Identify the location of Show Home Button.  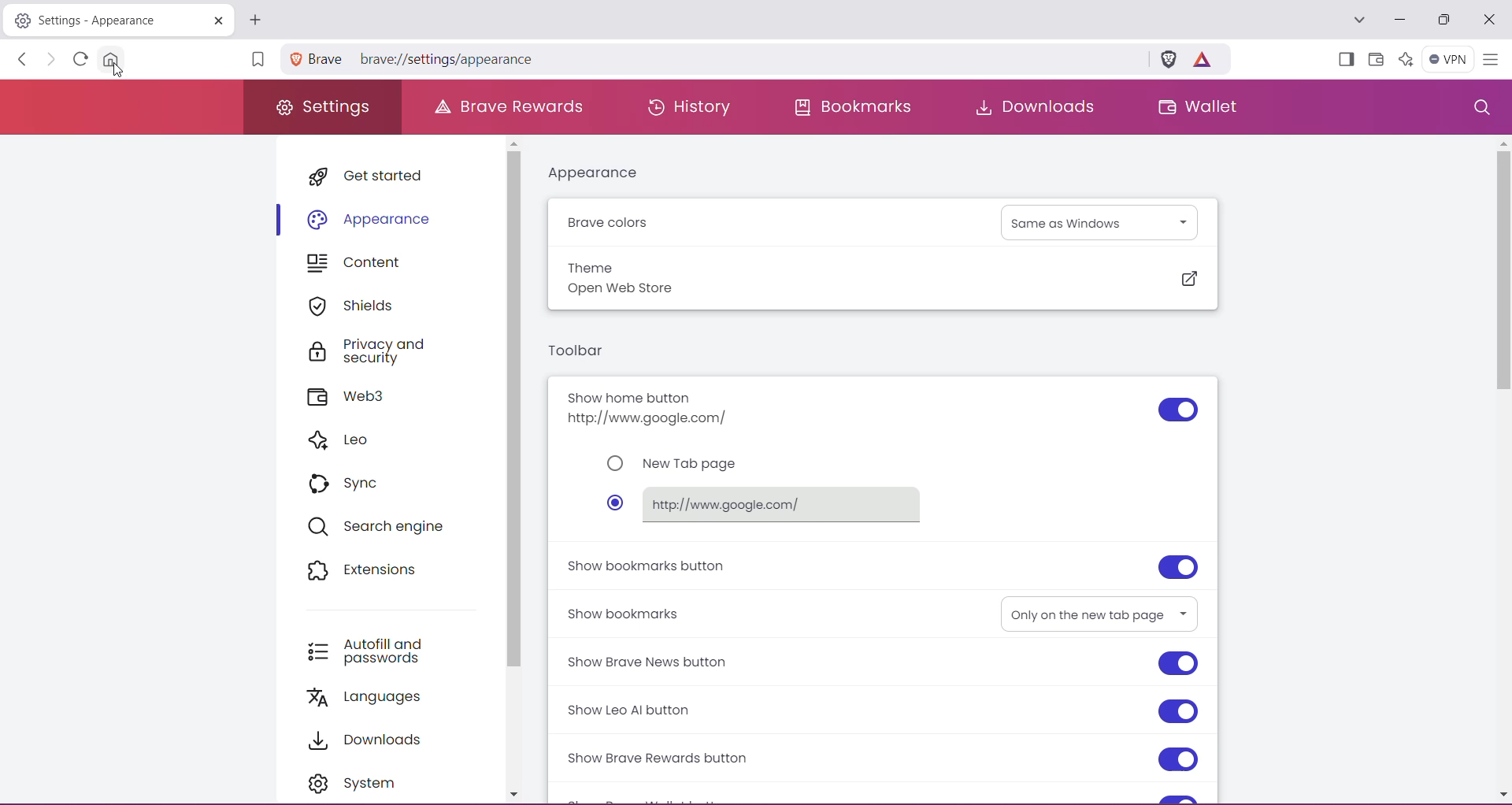
(658, 408).